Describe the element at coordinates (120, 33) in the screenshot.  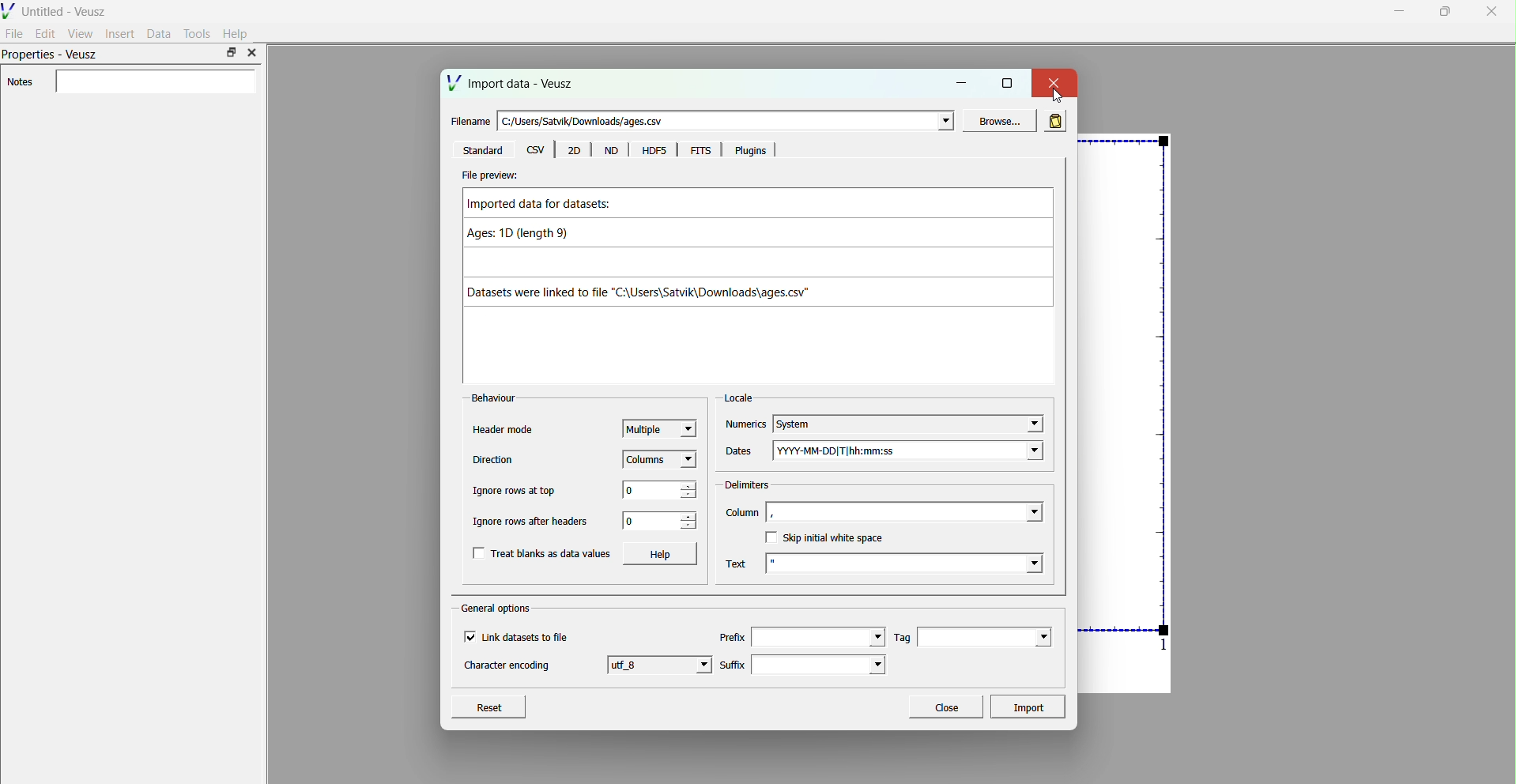
I see `Insert` at that location.